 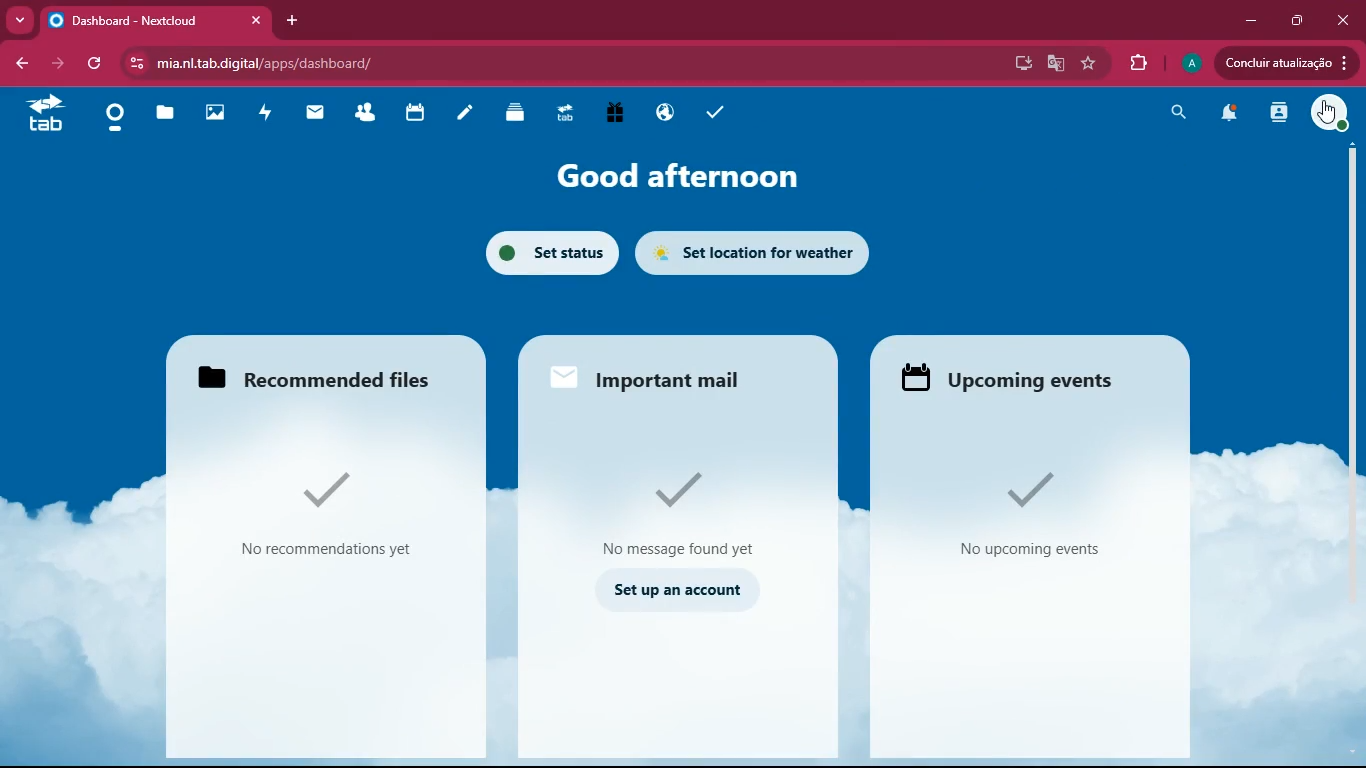 I want to click on tab, so click(x=569, y=116).